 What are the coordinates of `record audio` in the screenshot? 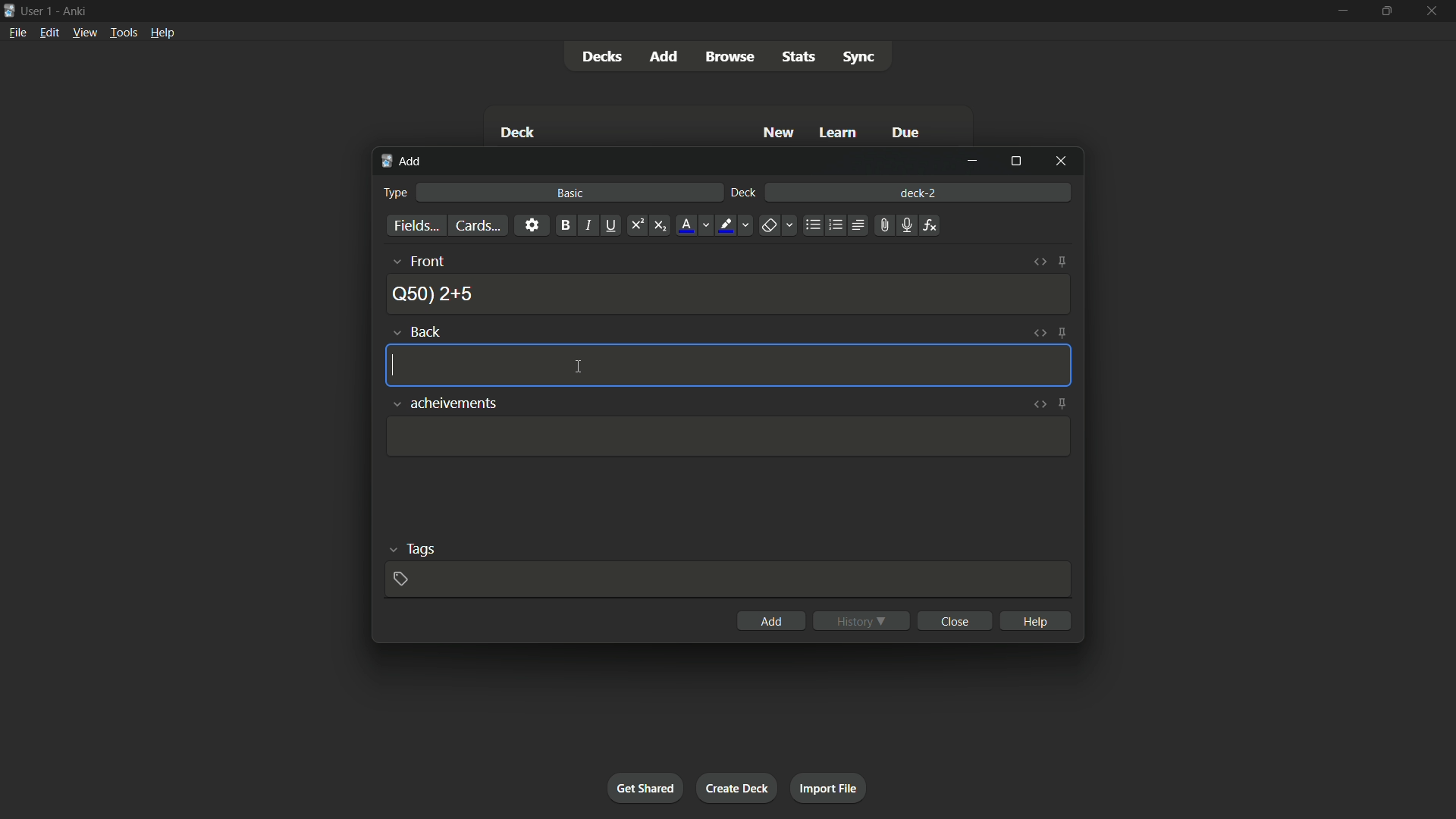 It's located at (906, 225).